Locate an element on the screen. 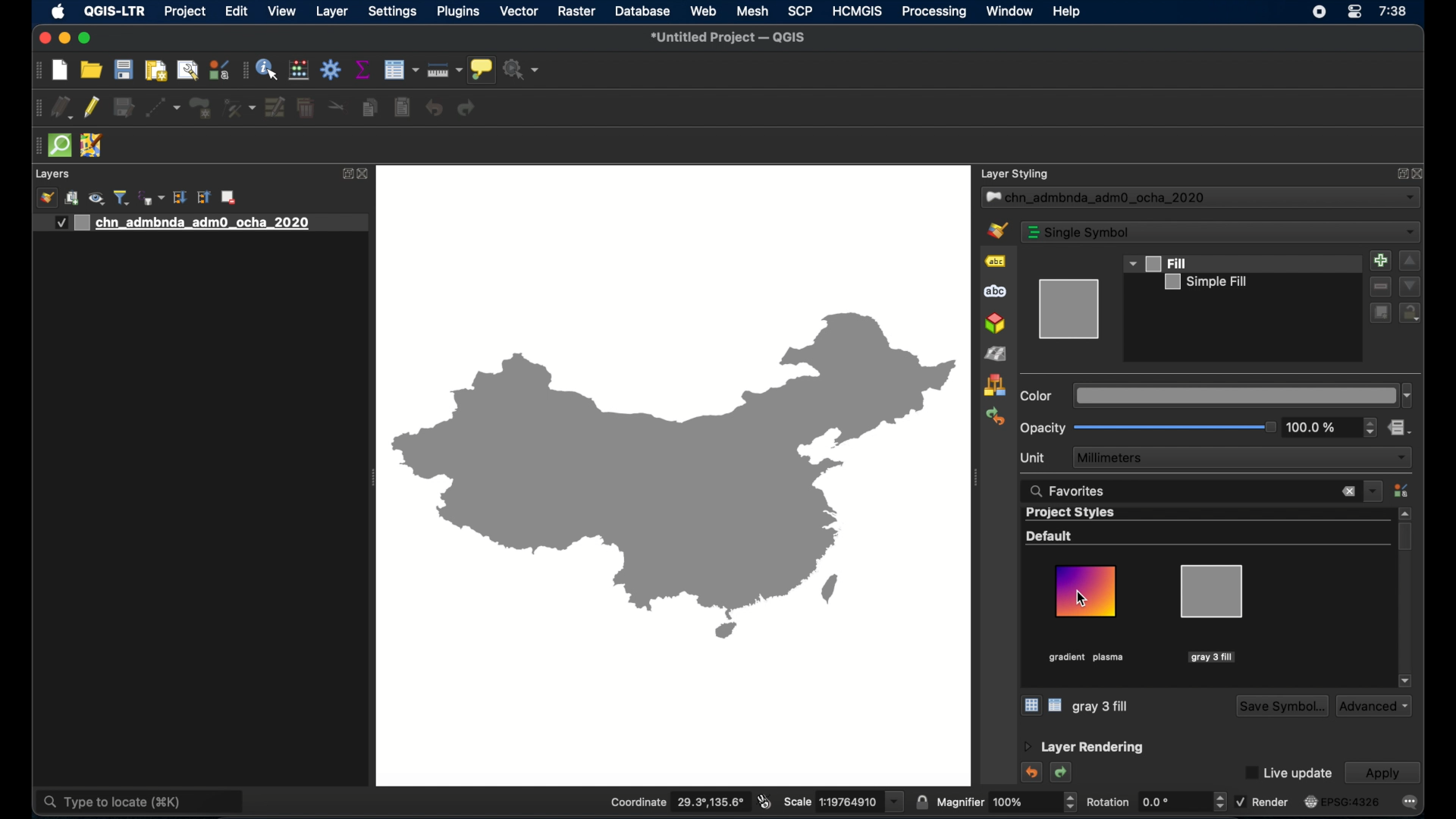  add is located at coordinates (1381, 261).